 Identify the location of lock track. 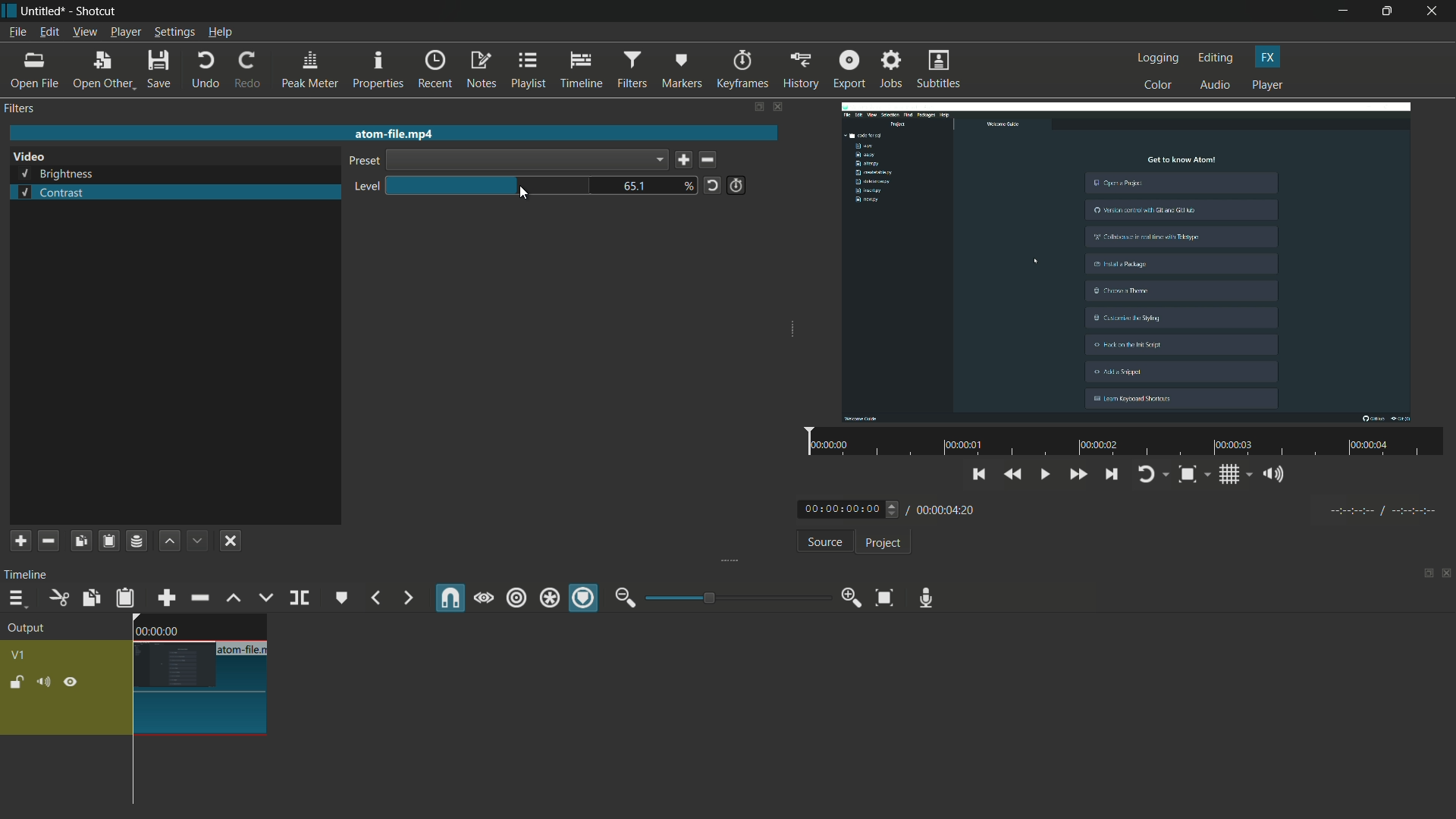
(19, 682).